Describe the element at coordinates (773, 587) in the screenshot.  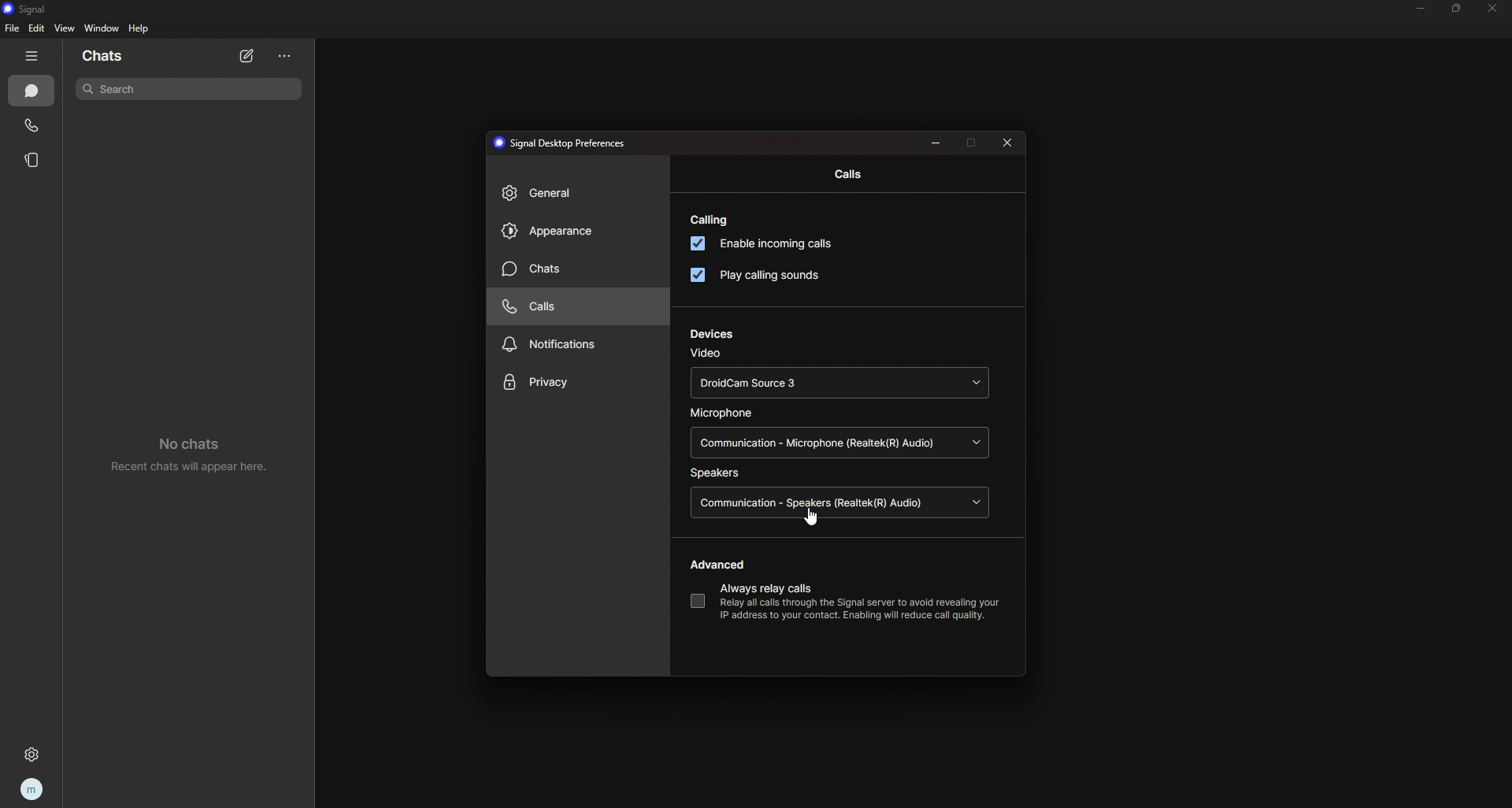
I see `always relay calls` at that location.